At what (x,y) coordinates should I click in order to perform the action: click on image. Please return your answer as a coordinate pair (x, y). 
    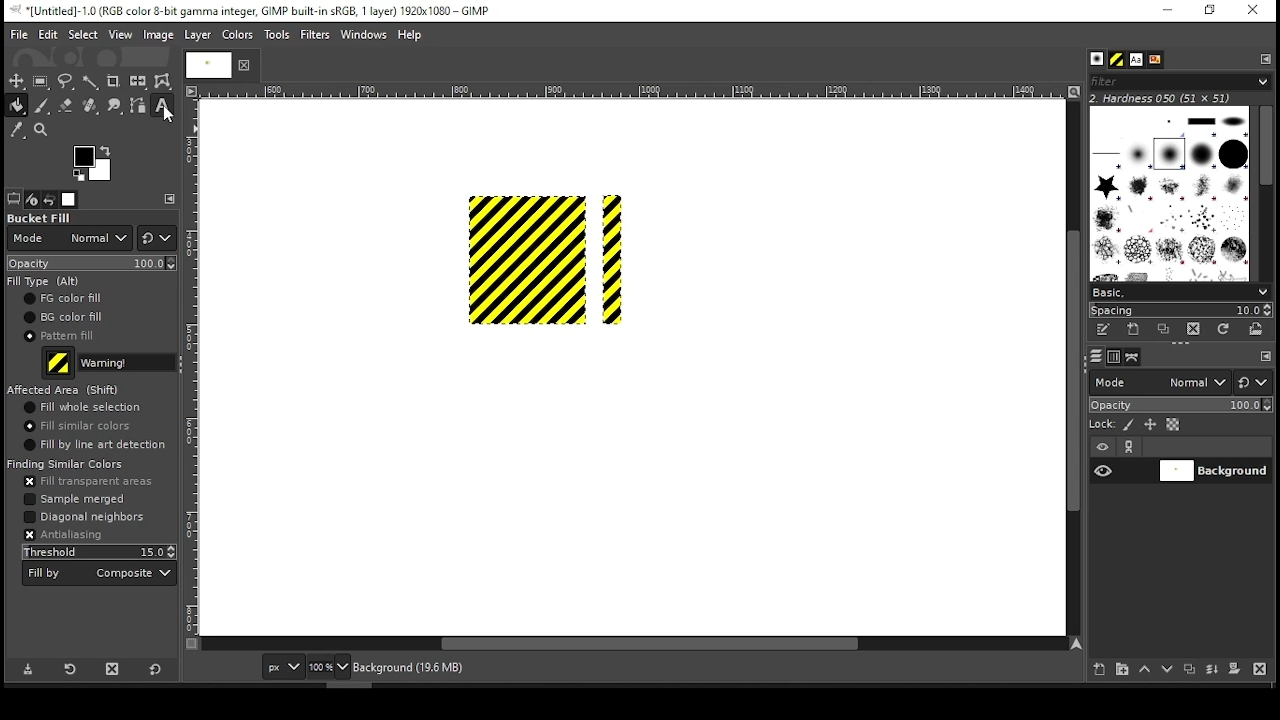
    Looking at the image, I should click on (157, 35).